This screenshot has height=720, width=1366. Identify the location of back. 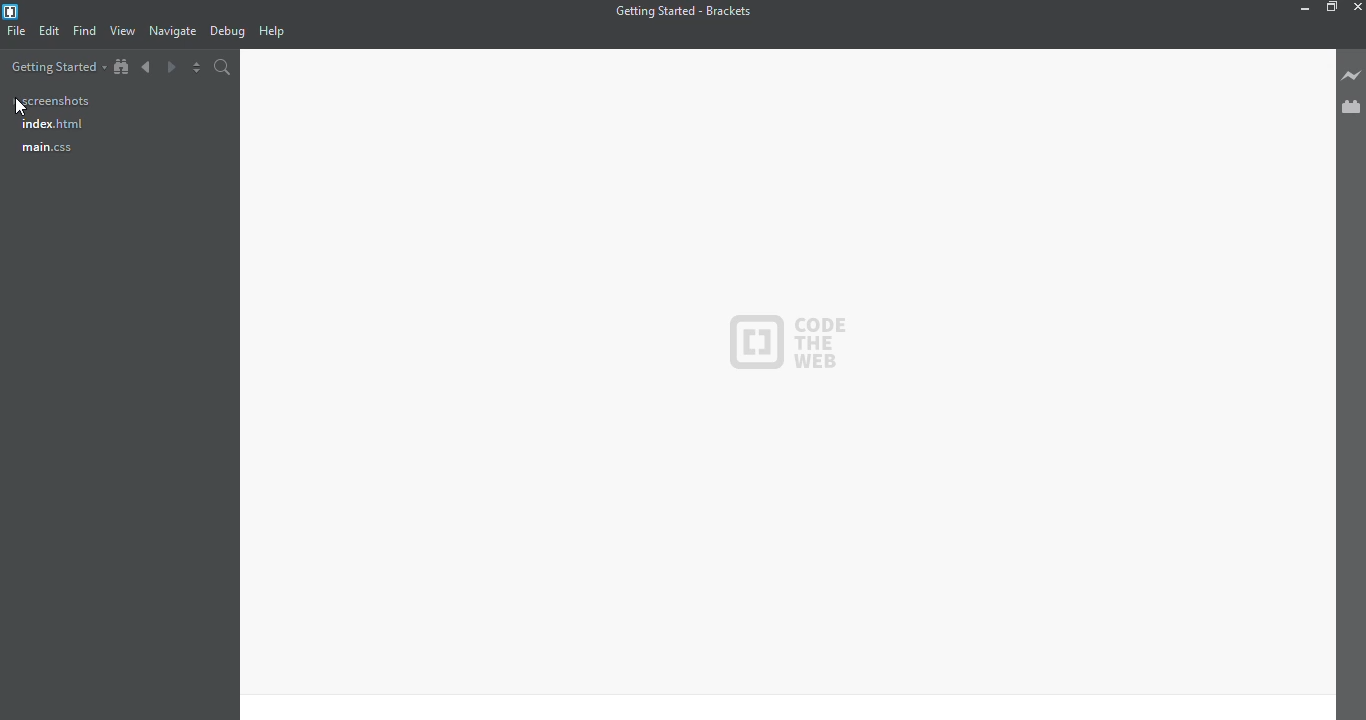
(146, 67).